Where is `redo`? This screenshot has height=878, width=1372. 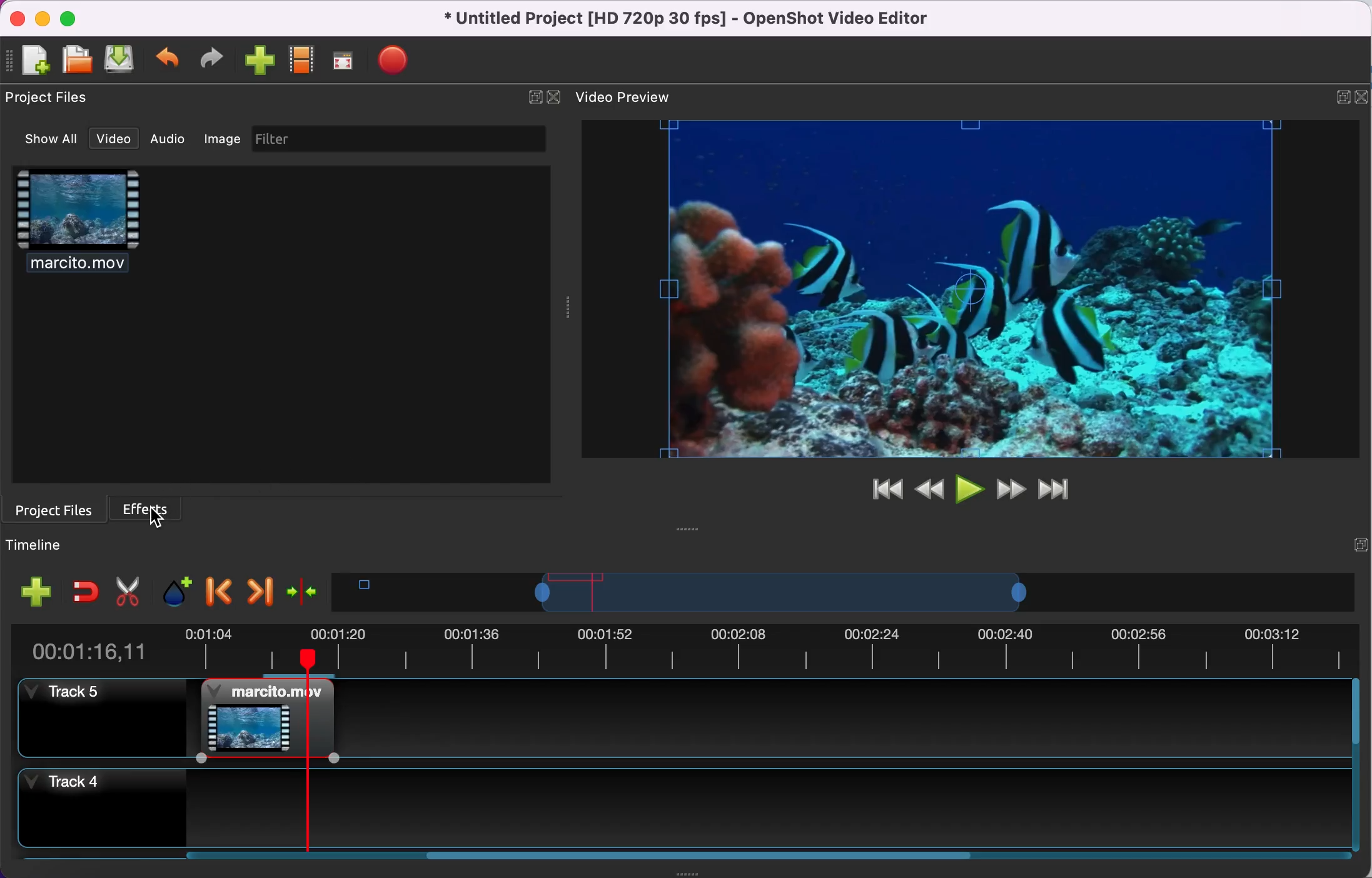
redo is located at coordinates (208, 60).